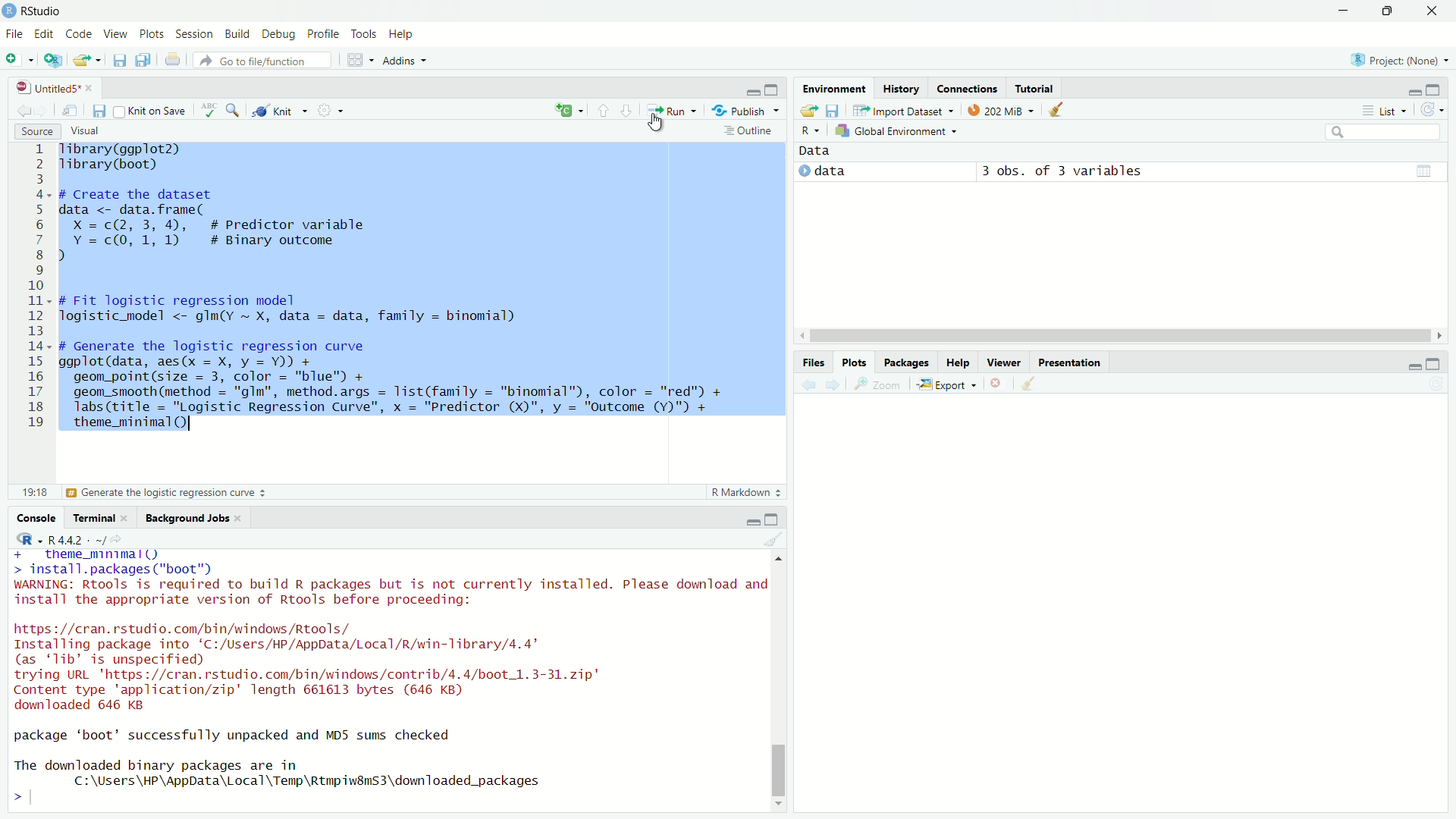 The width and height of the screenshot is (1456, 819). Describe the element at coordinates (19, 61) in the screenshot. I see `New file` at that location.